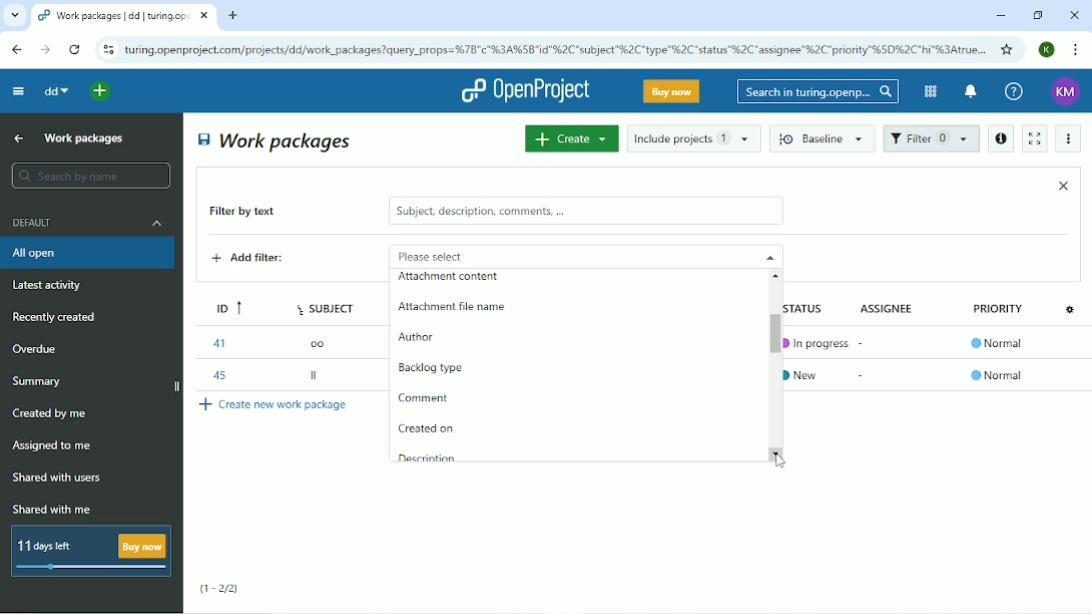 The image size is (1092, 614). Describe the element at coordinates (1033, 138) in the screenshot. I see `Activate zen mode` at that location.